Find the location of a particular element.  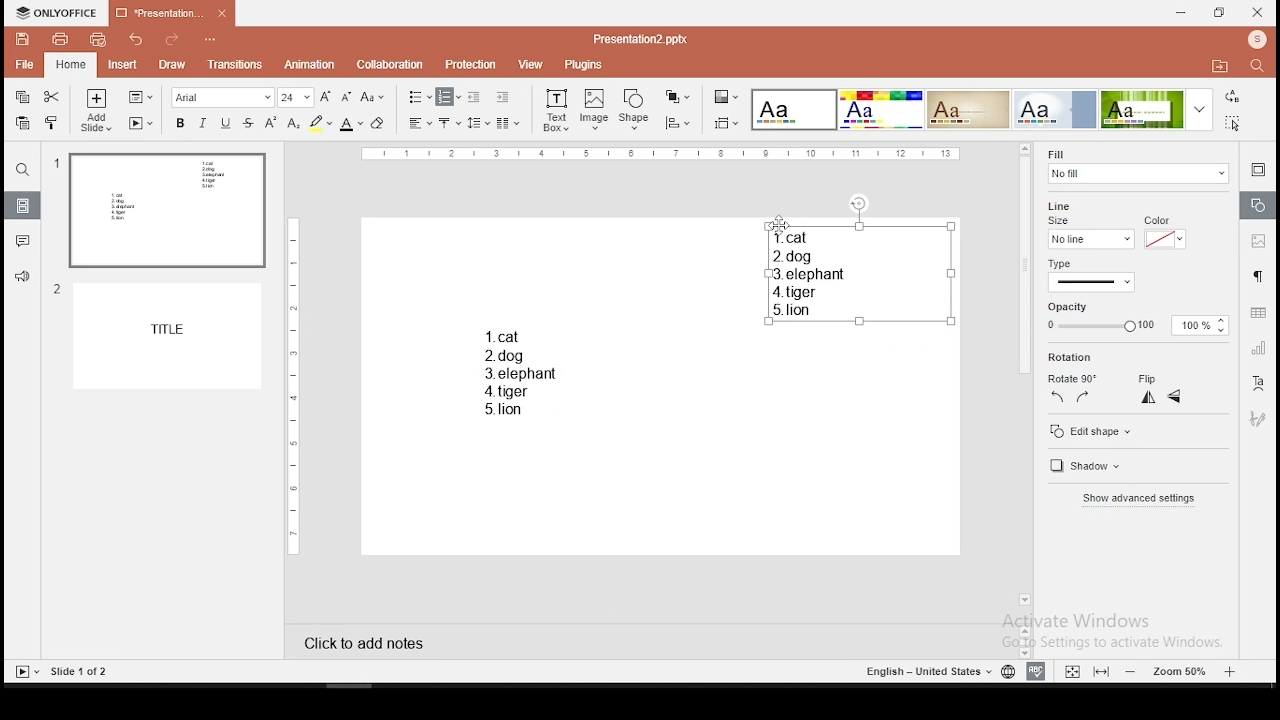

columns is located at coordinates (508, 122).